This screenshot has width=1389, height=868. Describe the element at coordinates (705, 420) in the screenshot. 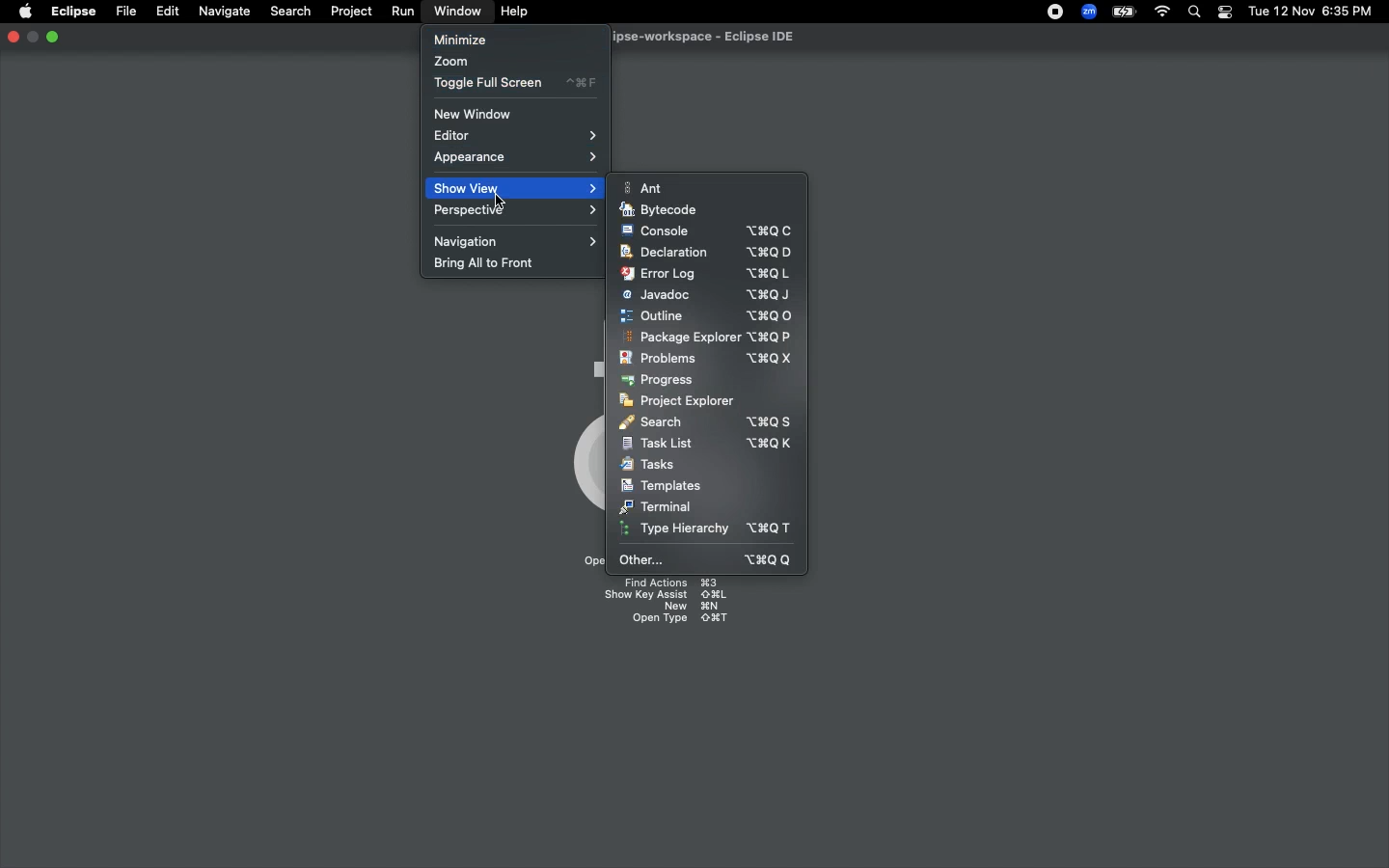

I see `Search` at that location.